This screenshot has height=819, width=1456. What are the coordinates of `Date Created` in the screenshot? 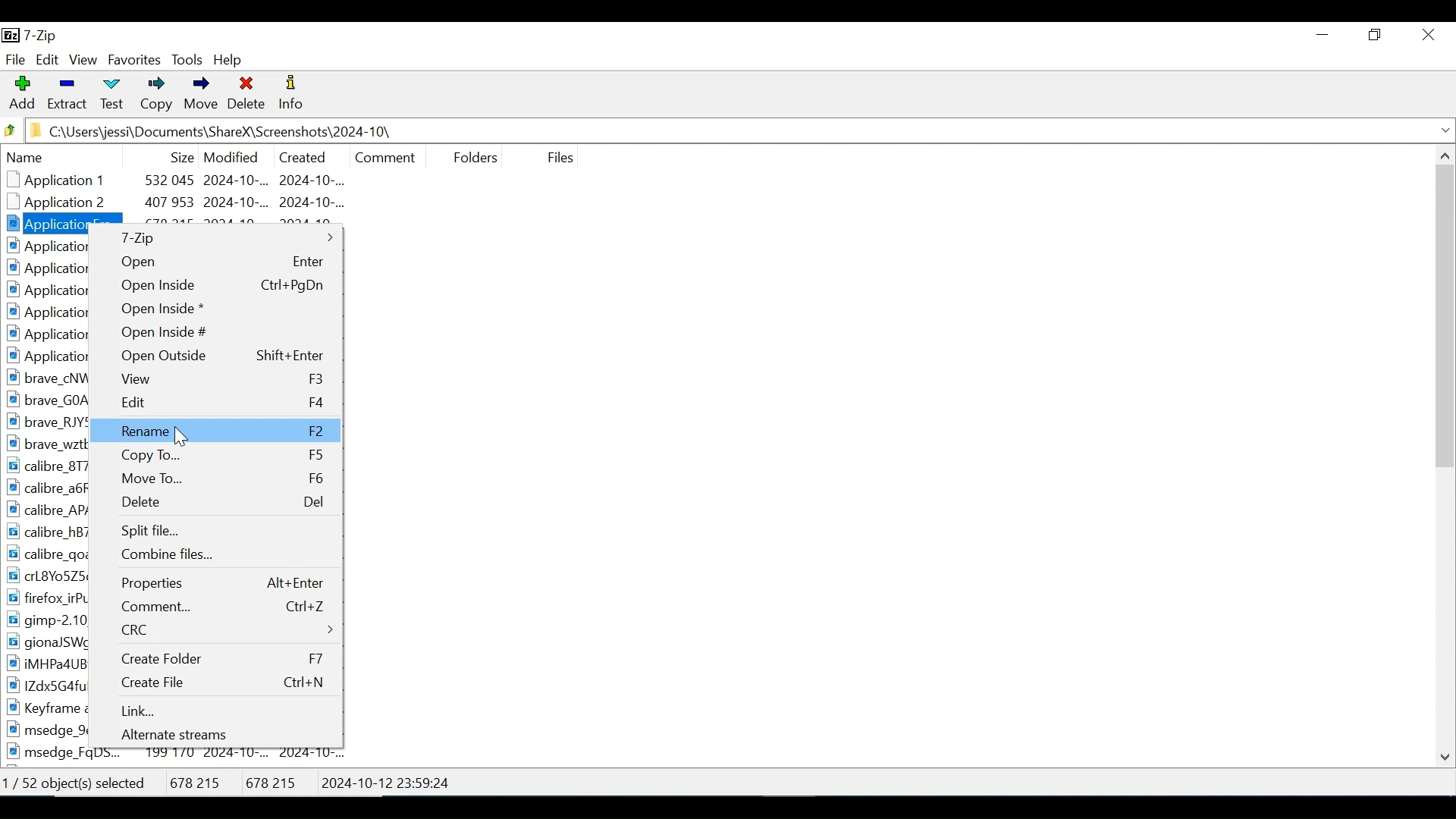 It's located at (301, 155).